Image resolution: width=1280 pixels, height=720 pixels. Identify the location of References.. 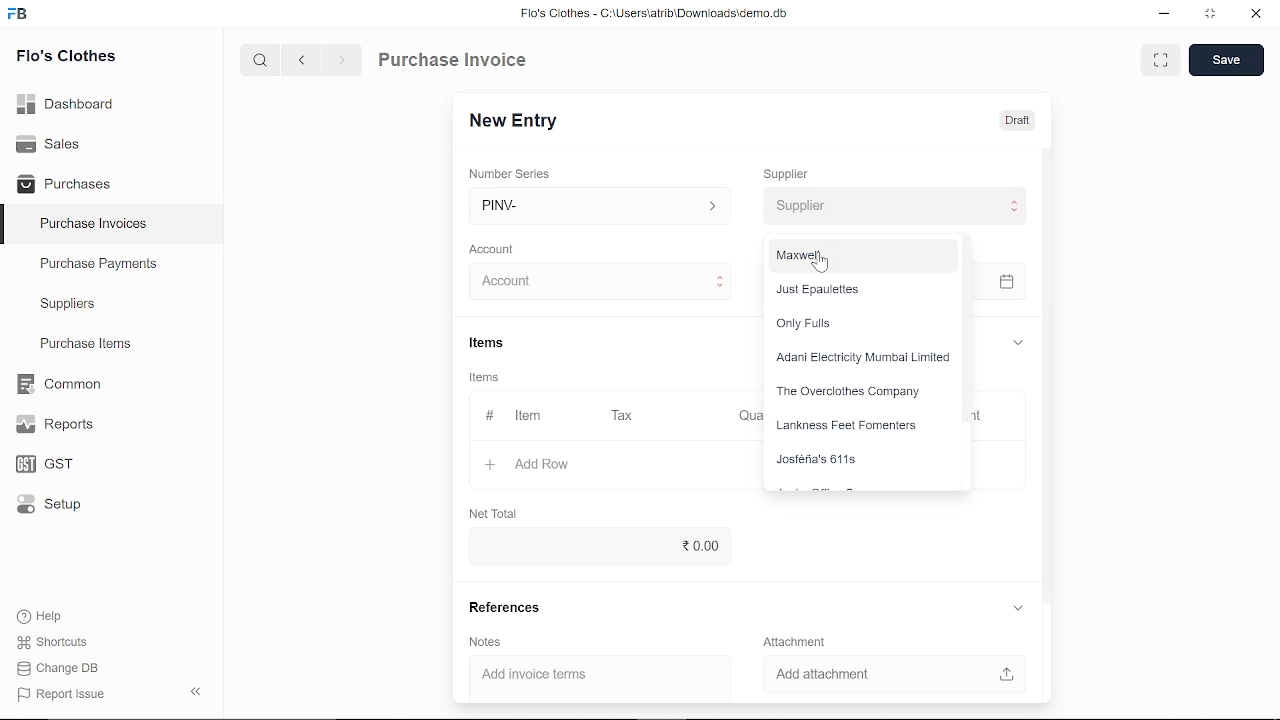
(510, 608).